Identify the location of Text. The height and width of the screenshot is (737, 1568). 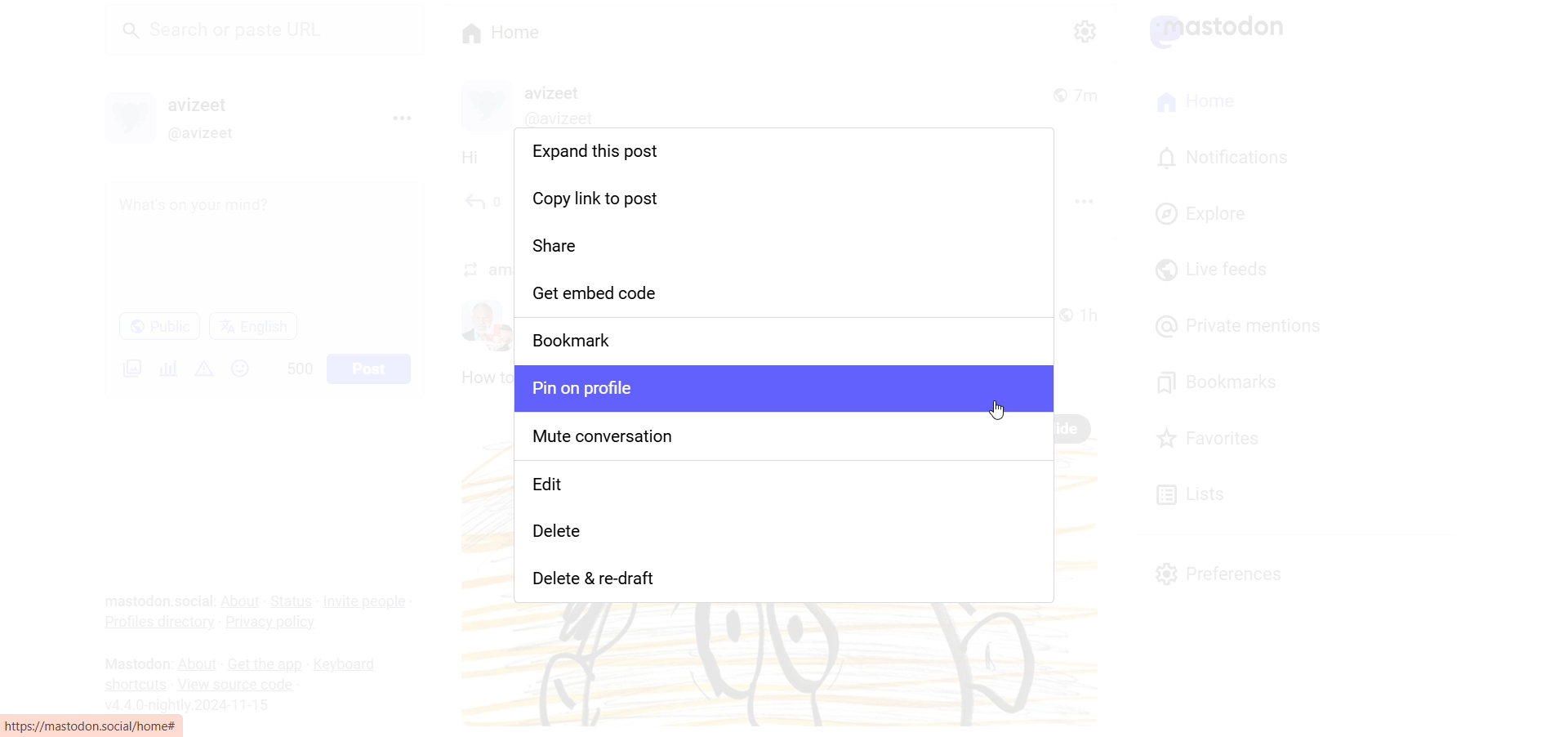
(158, 601).